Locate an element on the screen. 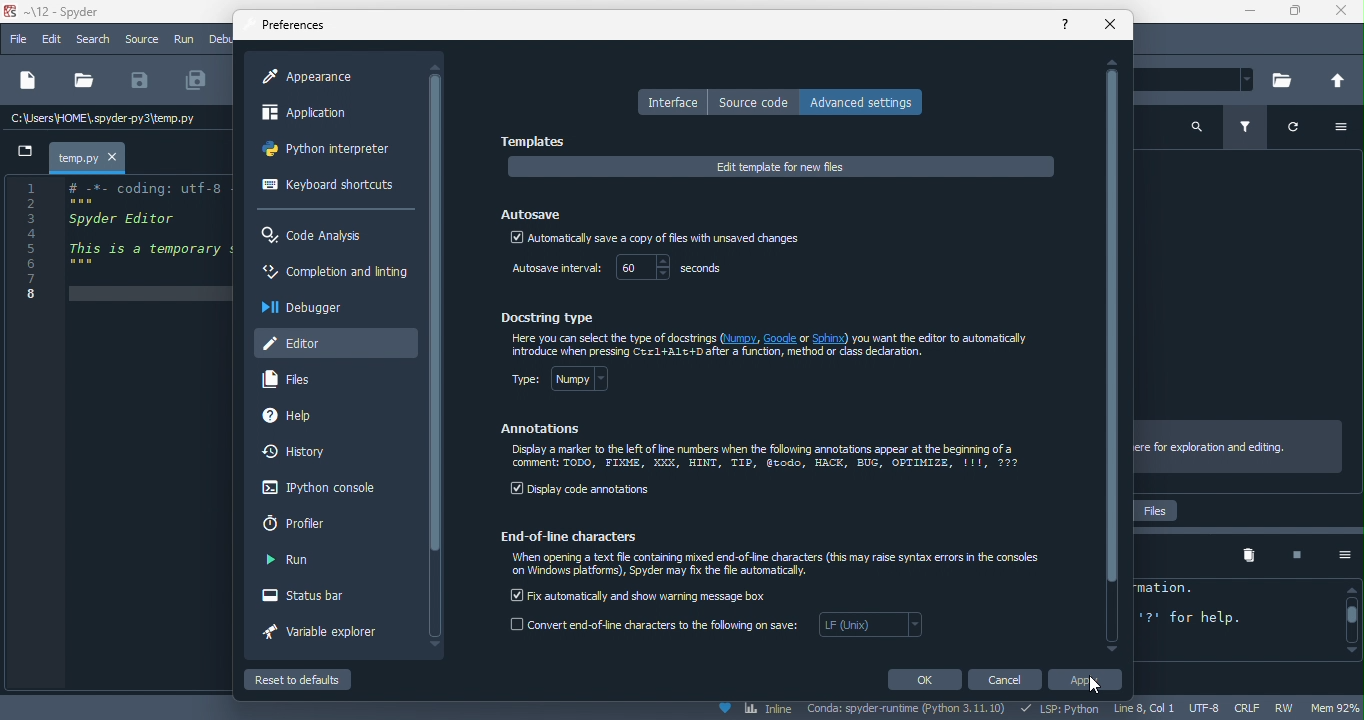 This screenshot has width=1364, height=720. python interpreter is located at coordinates (332, 153).